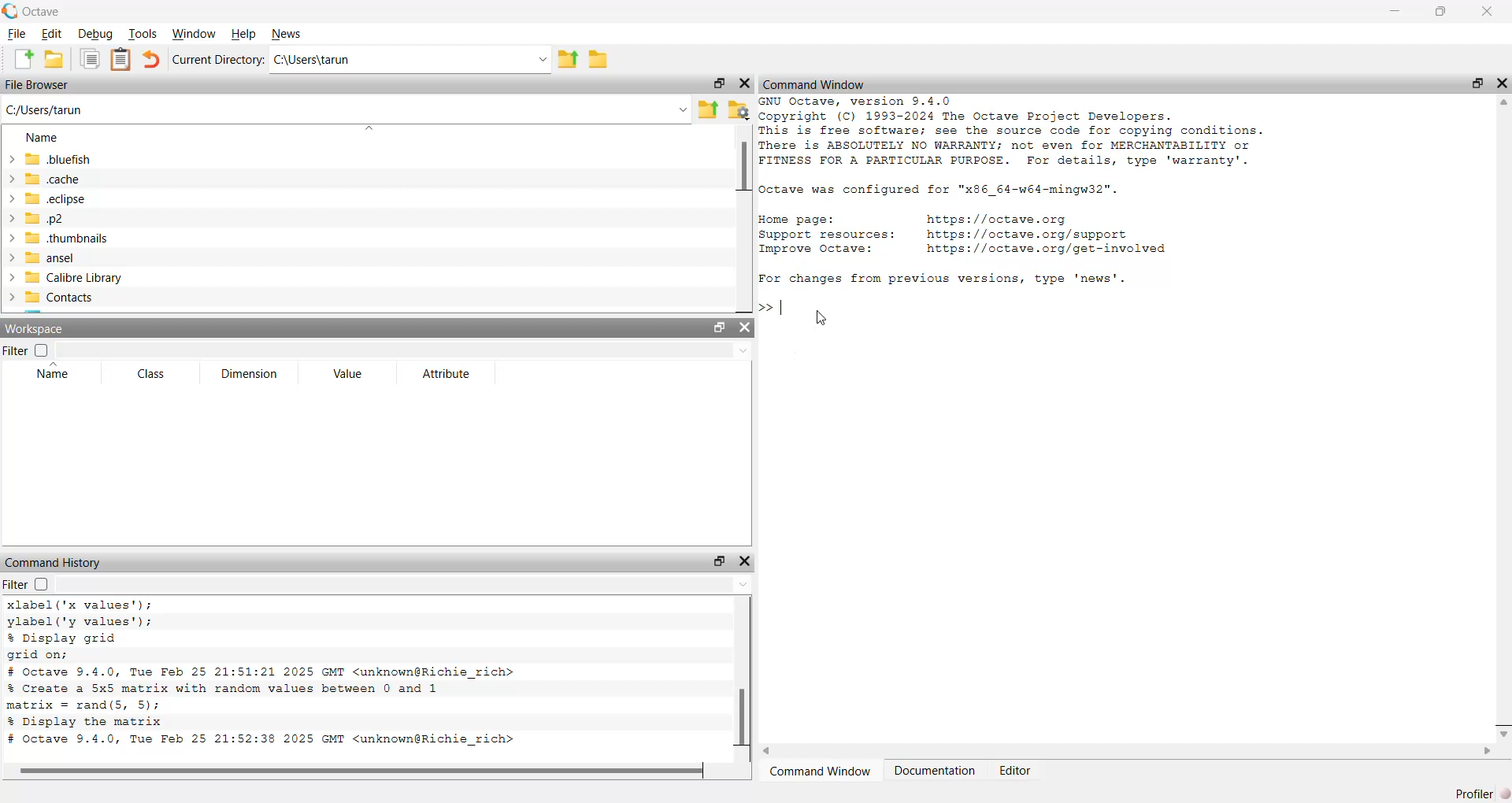  Describe the element at coordinates (1471, 793) in the screenshot. I see `Profiler` at that location.